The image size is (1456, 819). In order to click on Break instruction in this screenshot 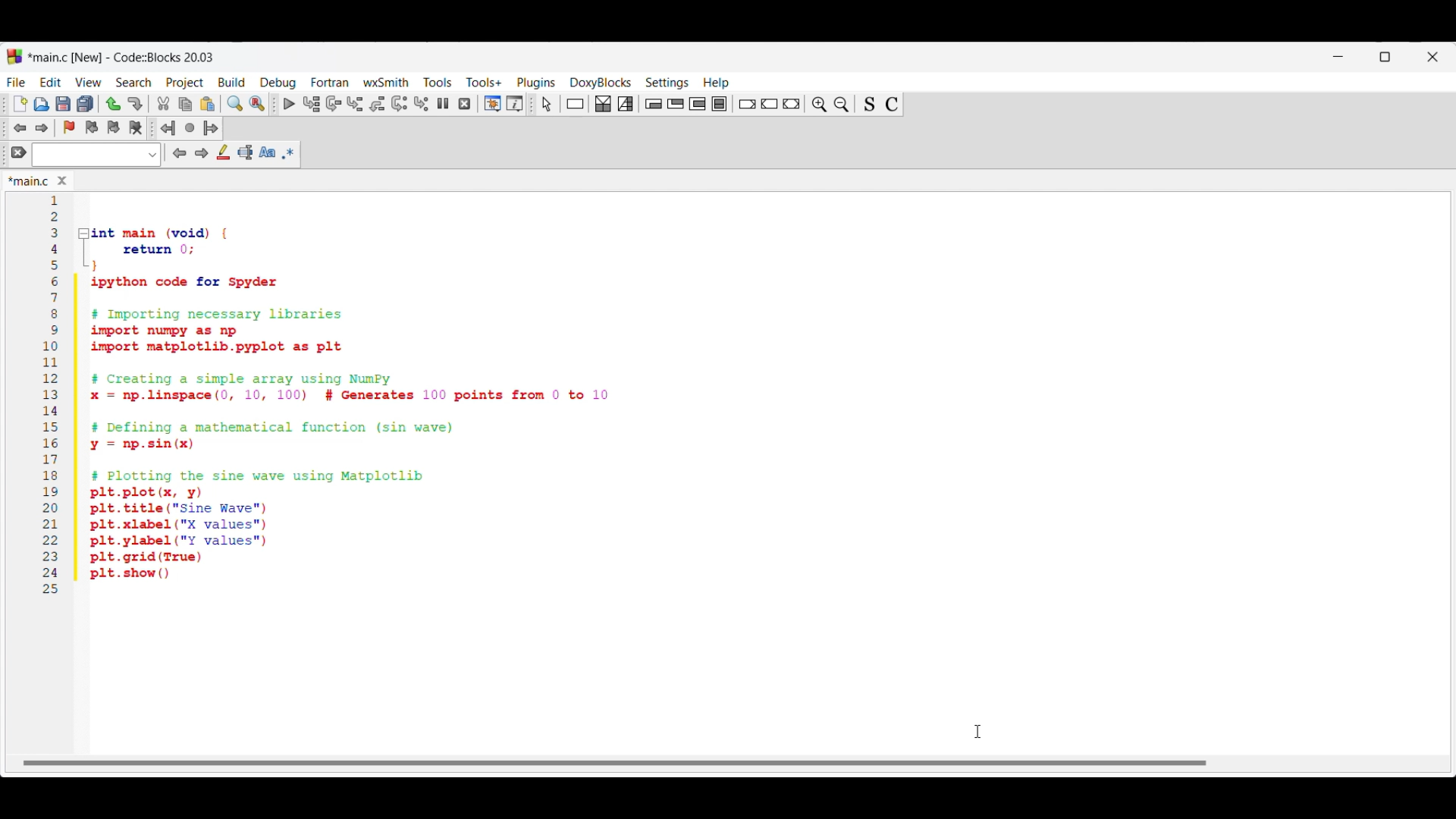, I will do `click(747, 104)`.